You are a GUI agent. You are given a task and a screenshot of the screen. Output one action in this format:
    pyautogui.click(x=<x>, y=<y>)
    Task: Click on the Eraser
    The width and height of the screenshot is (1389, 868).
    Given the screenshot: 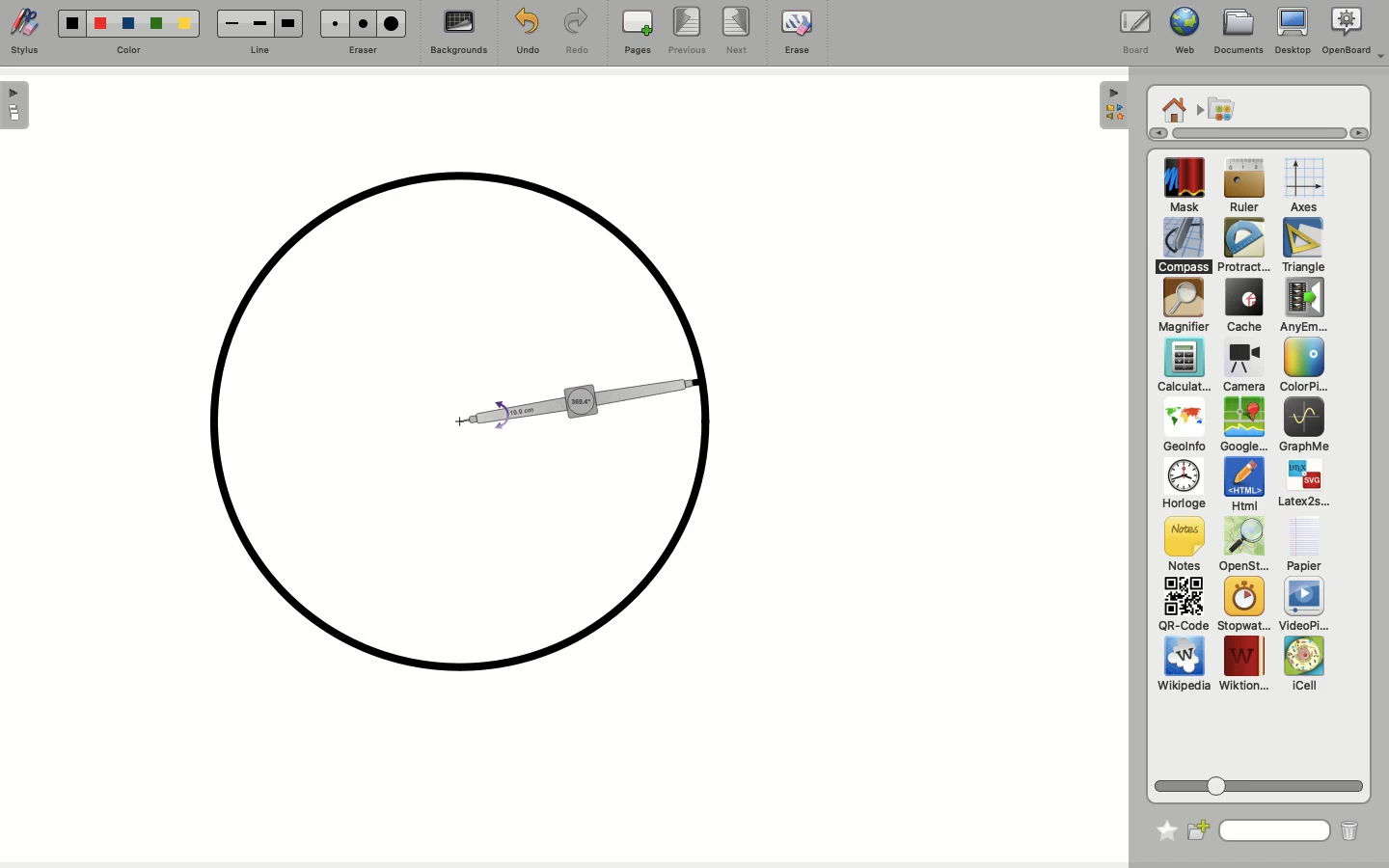 What is the action you would take?
    pyautogui.click(x=364, y=49)
    